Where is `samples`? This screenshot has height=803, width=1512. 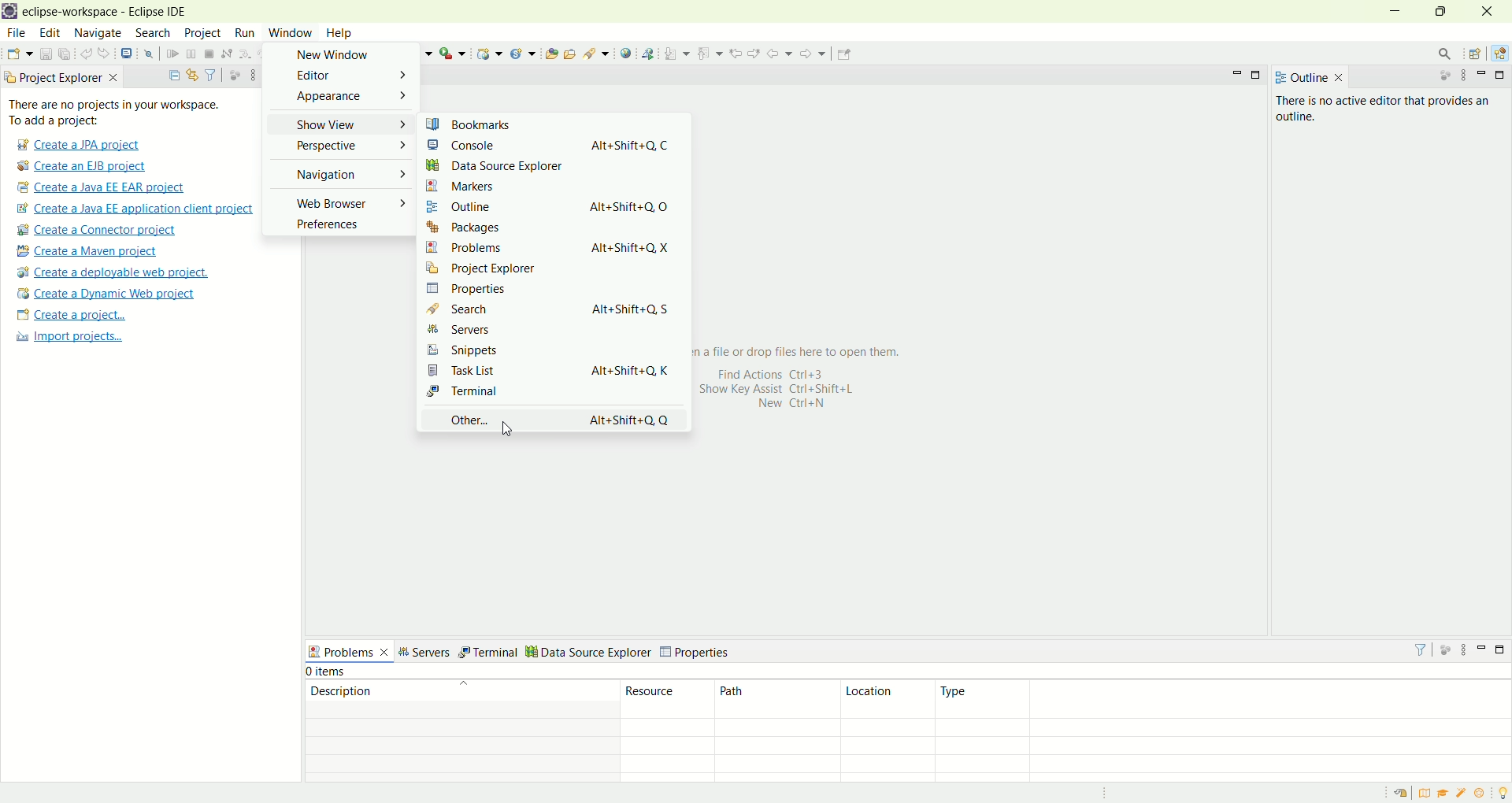 samples is located at coordinates (1461, 794).